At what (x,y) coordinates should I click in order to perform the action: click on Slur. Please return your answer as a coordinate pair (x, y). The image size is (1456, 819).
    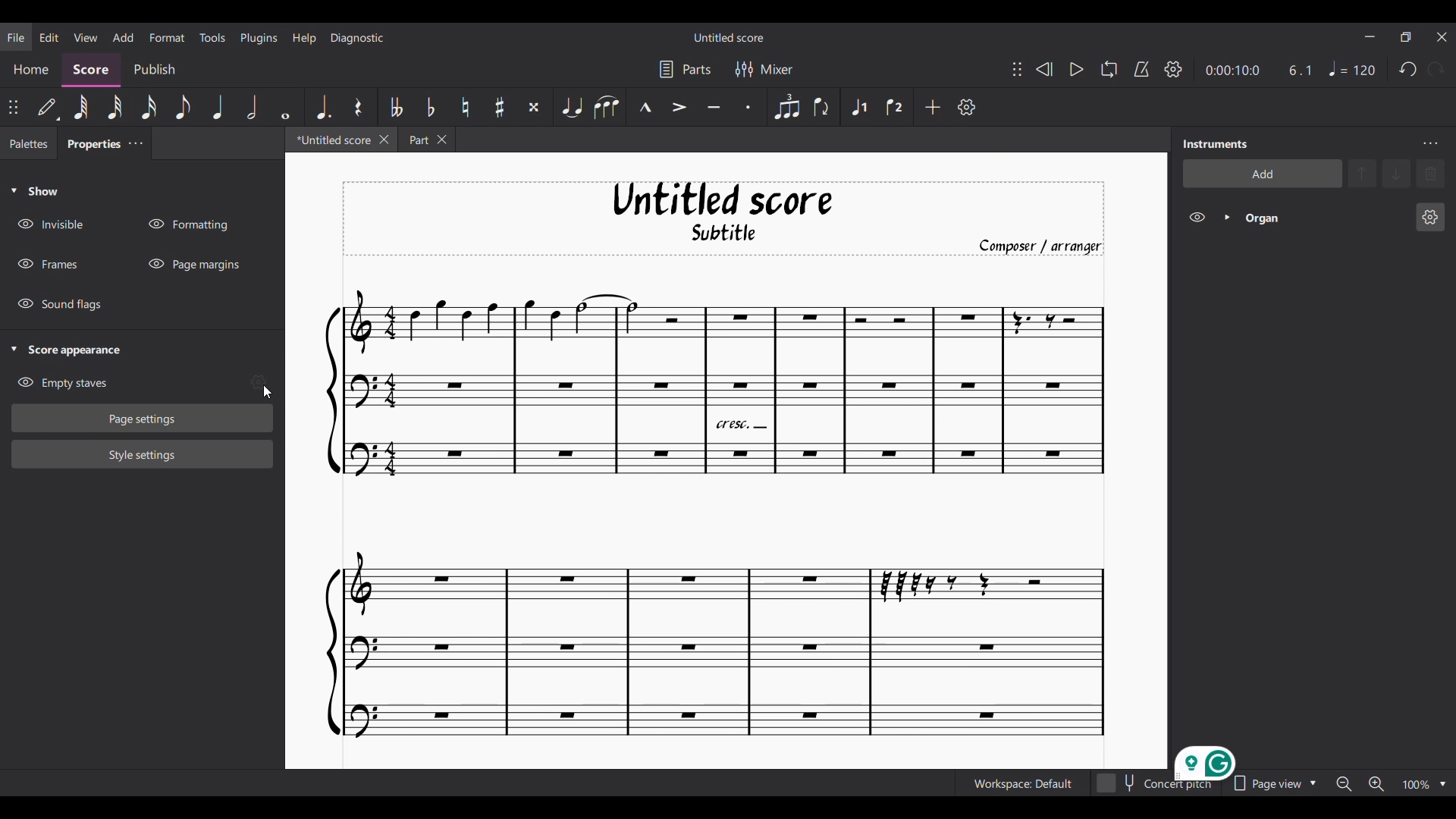
    Looking at the image, I should click on (606, 107).